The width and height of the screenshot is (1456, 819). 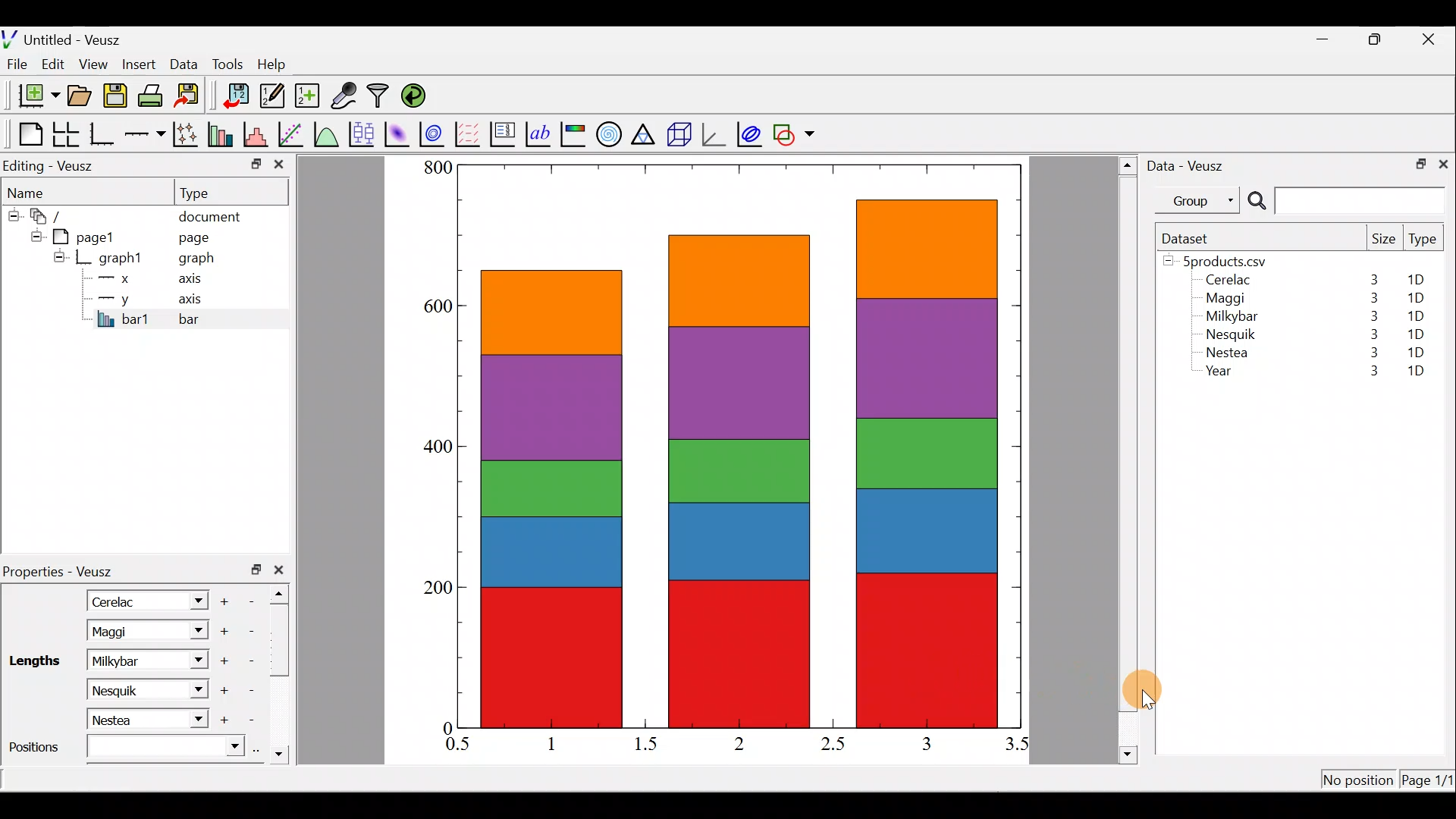 I want to click on Remove item, so click(x=252, y=660).